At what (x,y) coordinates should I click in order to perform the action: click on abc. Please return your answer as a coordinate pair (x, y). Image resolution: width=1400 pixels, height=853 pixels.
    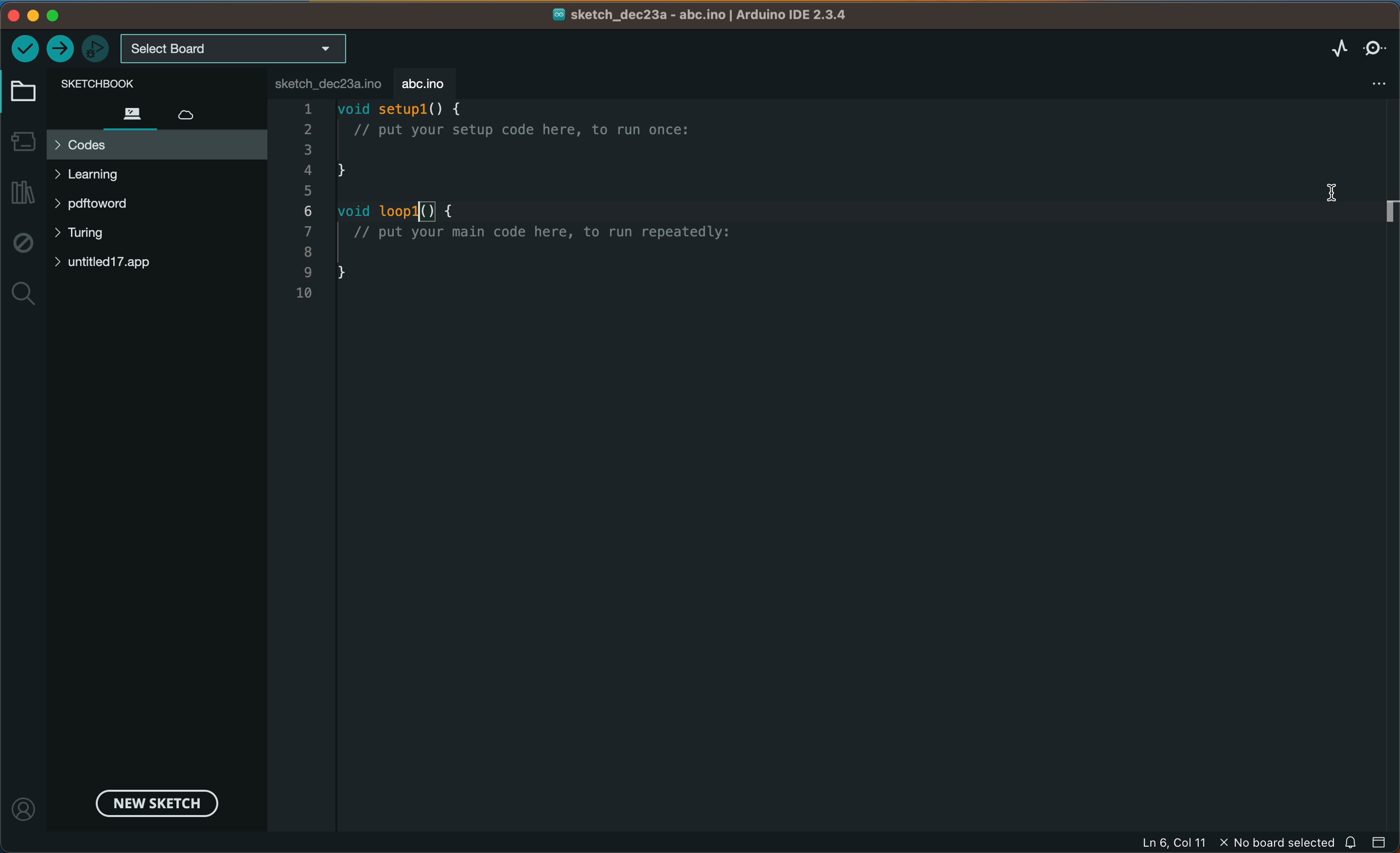
    Looking at the image, I should click on (421, 81).